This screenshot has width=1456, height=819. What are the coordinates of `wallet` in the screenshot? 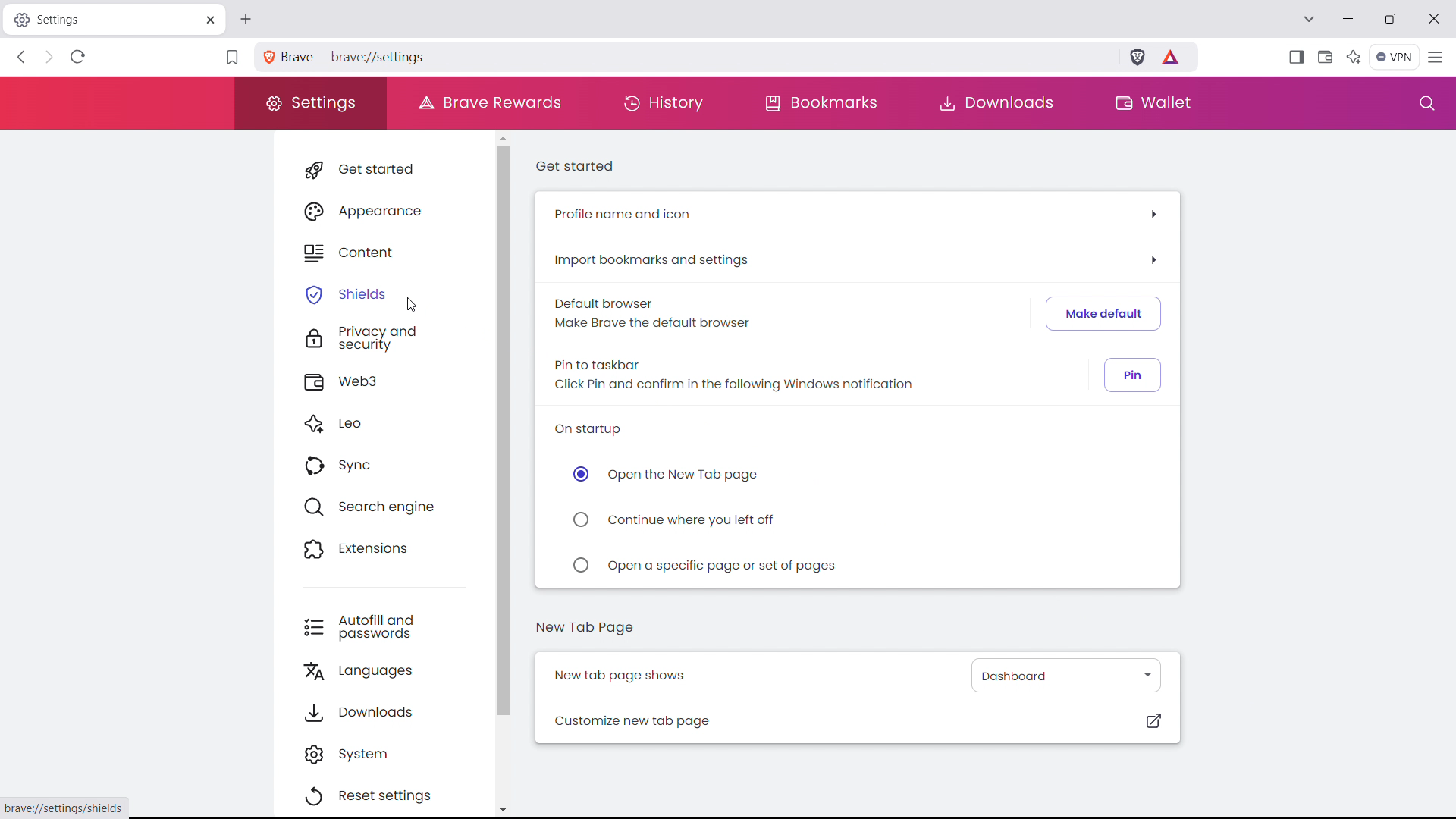 It's located at (1149, 102).